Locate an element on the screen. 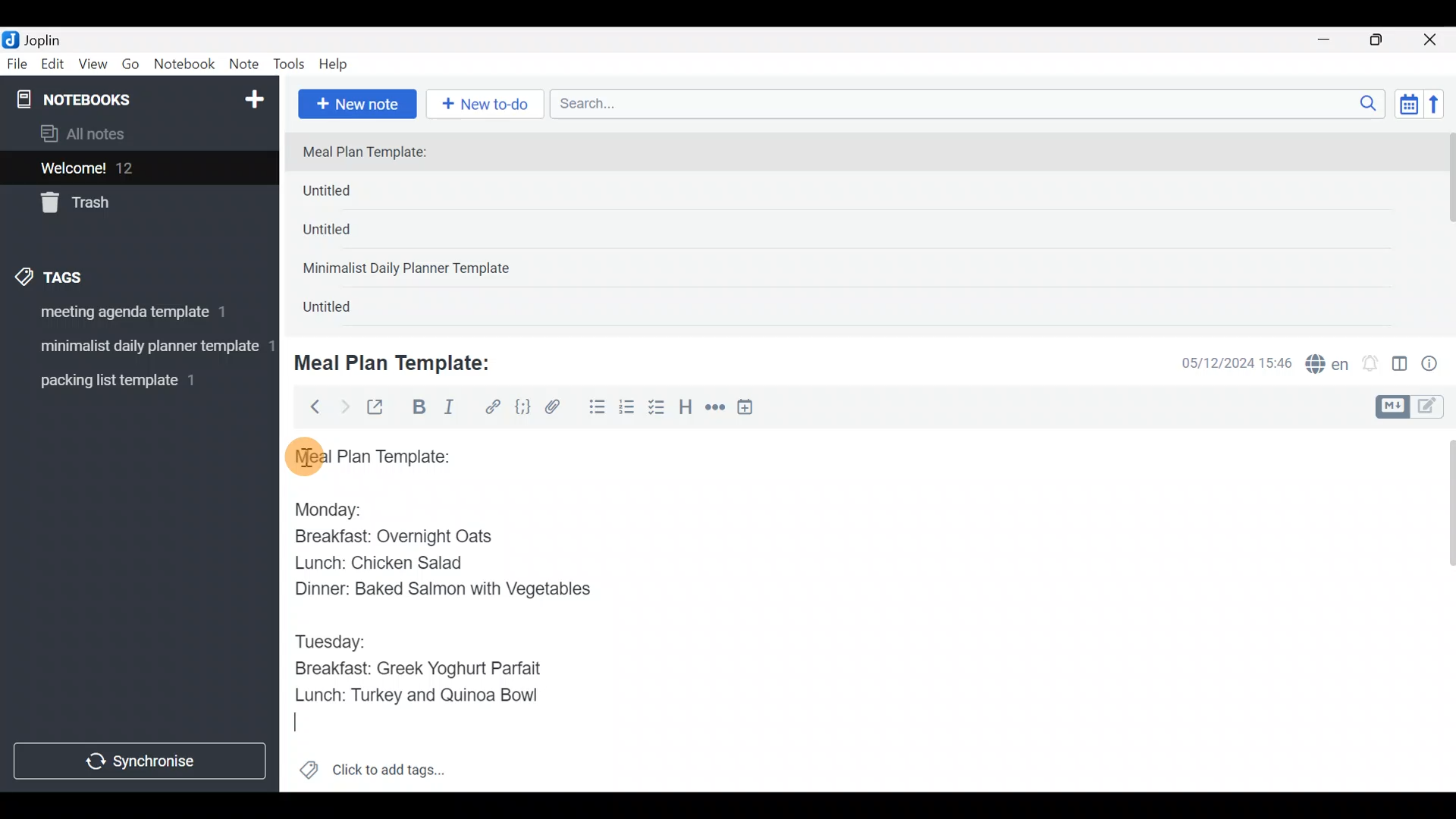  Heading is located at coordinates (686, 409).